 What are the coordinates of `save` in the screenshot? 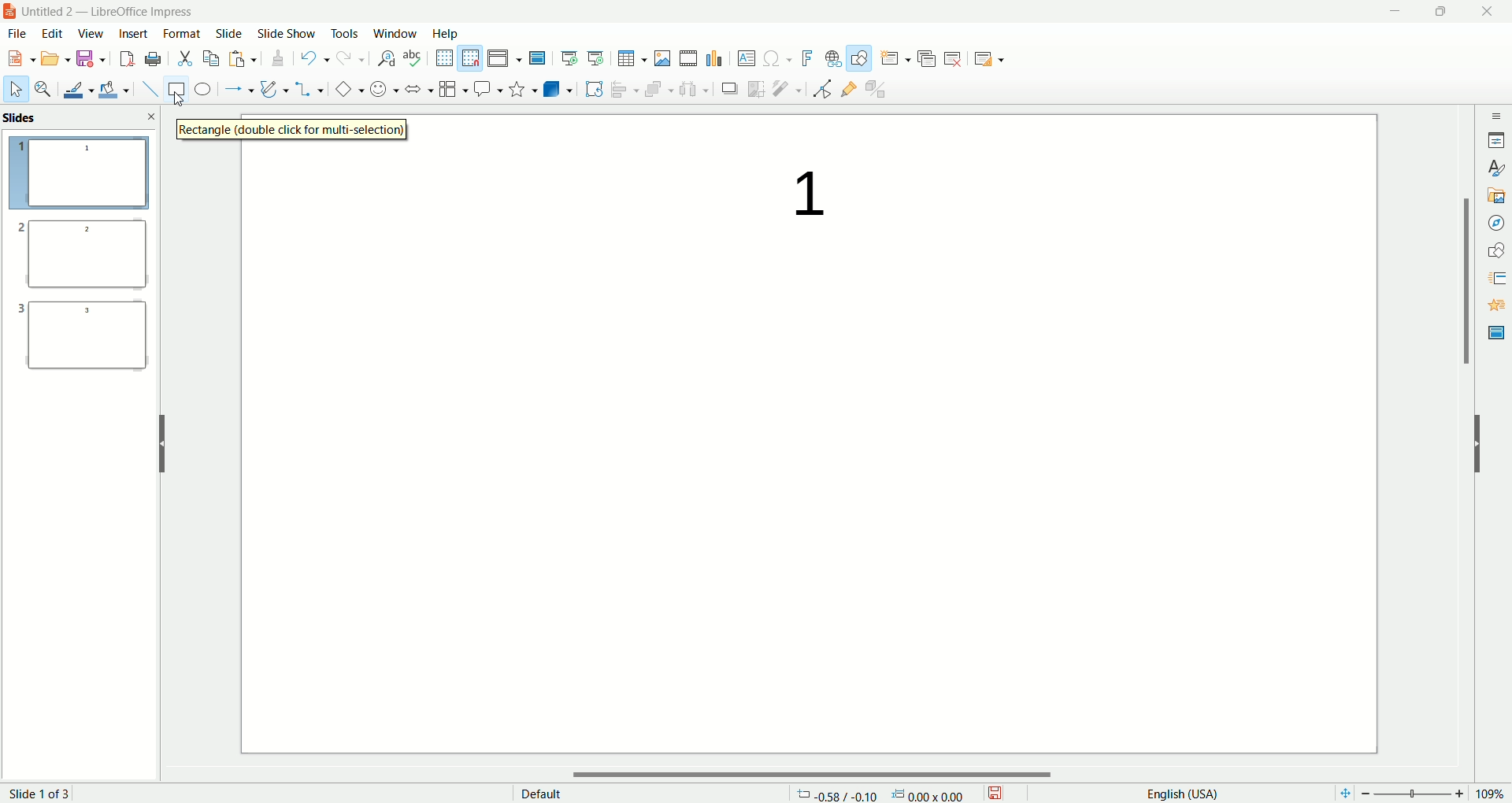 It's located at (91, 60).